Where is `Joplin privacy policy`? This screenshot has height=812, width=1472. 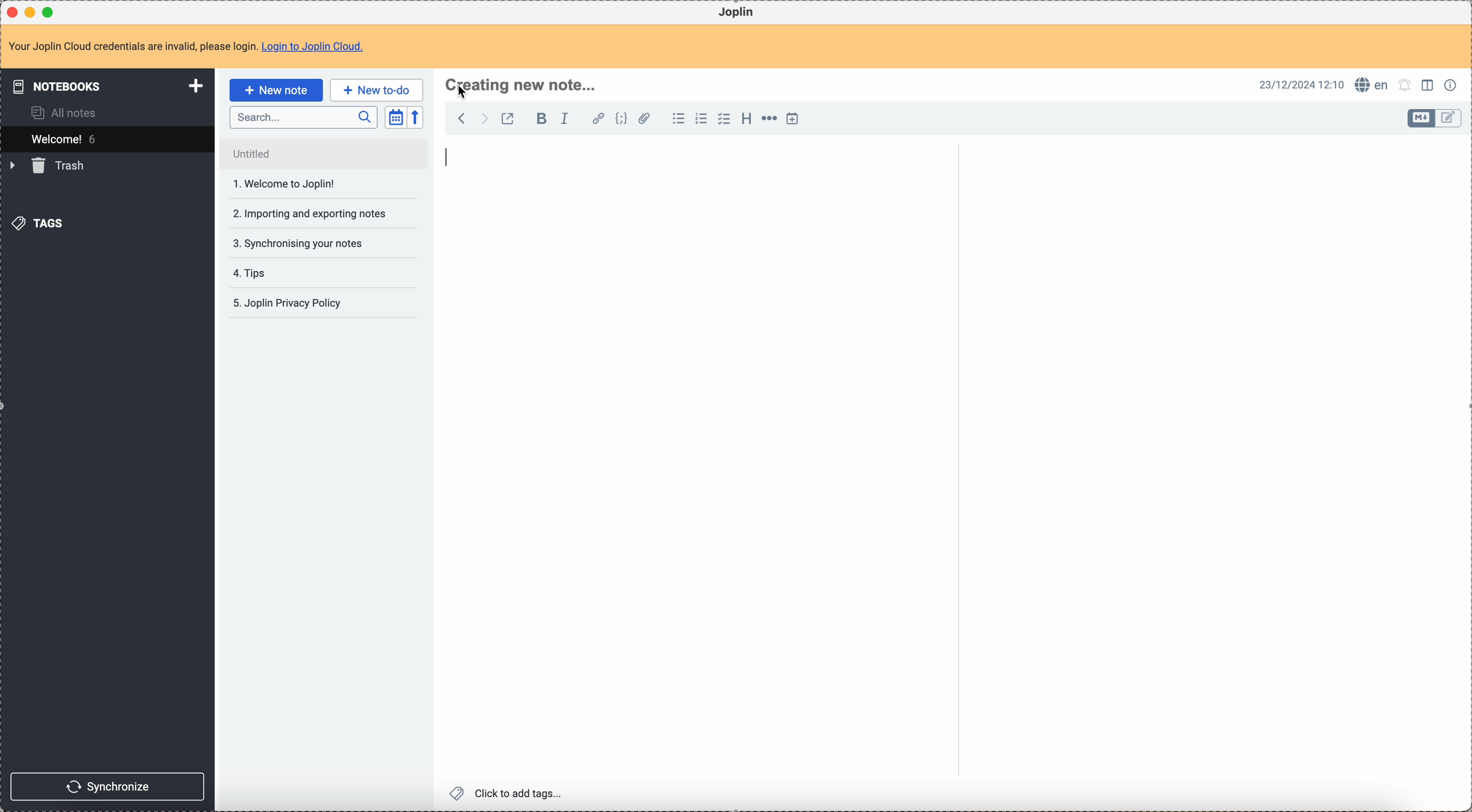
Joplin privacy policy is located at coordinates (286, 273).